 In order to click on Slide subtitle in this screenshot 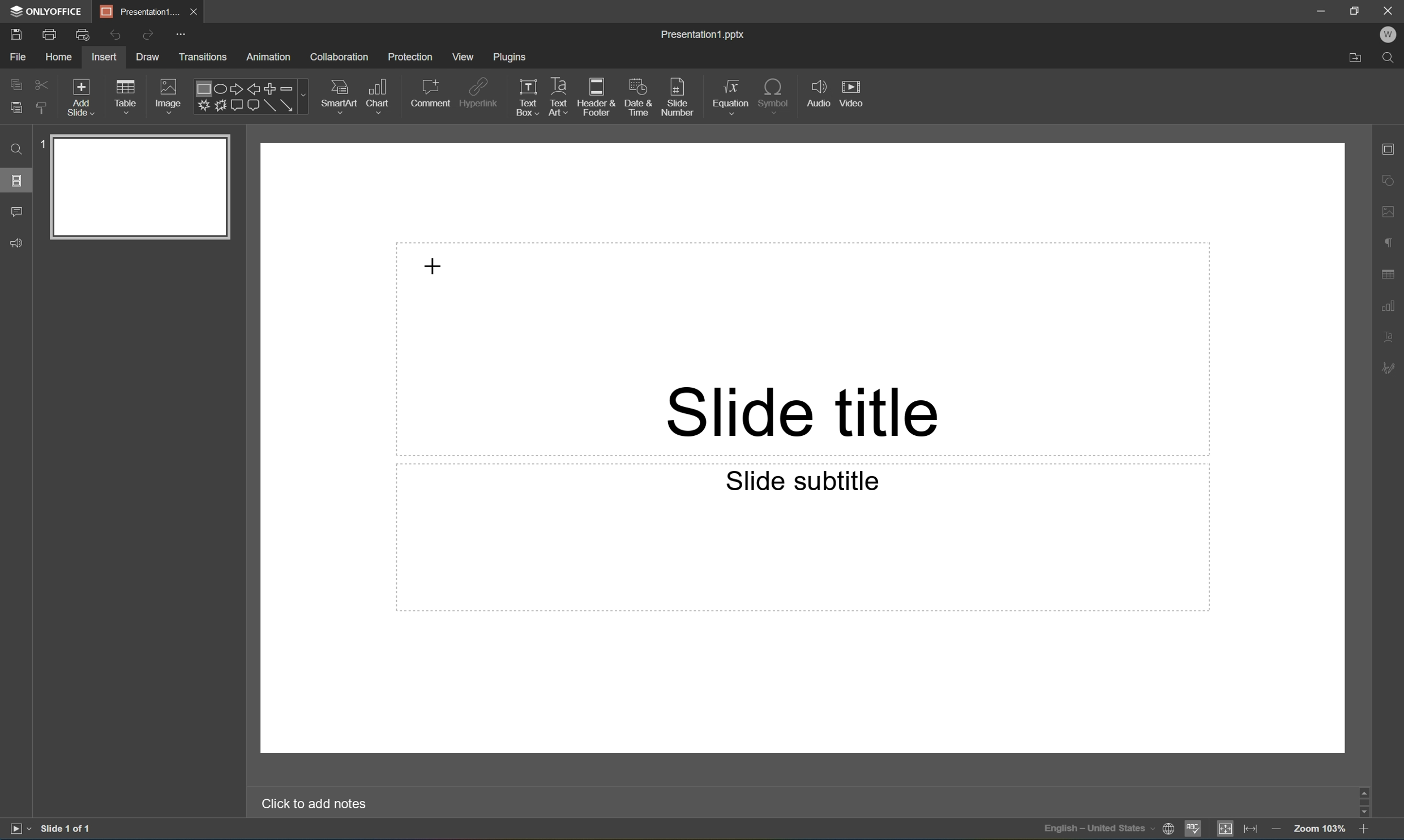, I will do `click(808, 482)`.